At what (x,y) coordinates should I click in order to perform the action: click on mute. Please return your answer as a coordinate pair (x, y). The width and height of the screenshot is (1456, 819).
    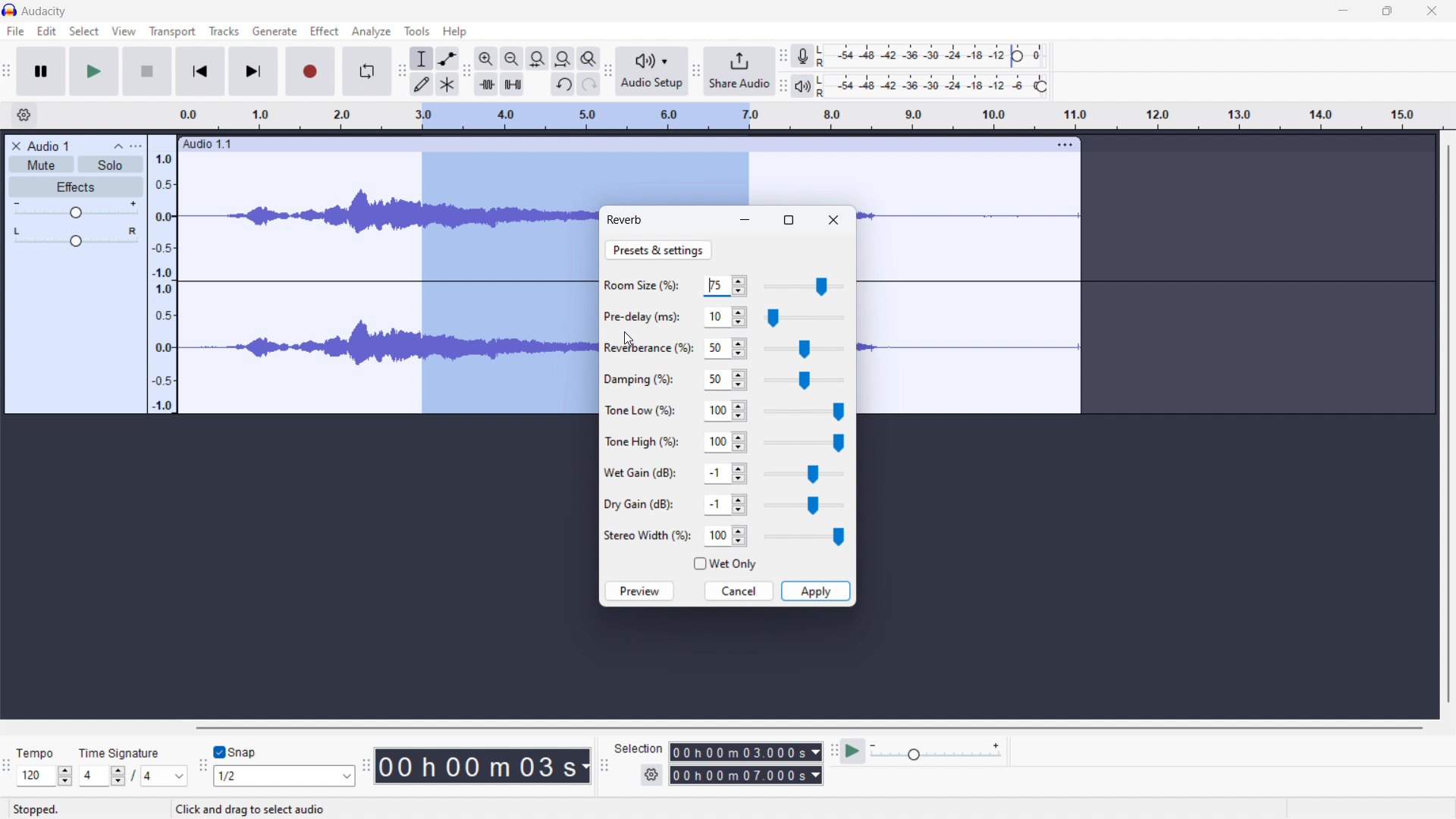
    Looking at the image, I should click on (41, 165).